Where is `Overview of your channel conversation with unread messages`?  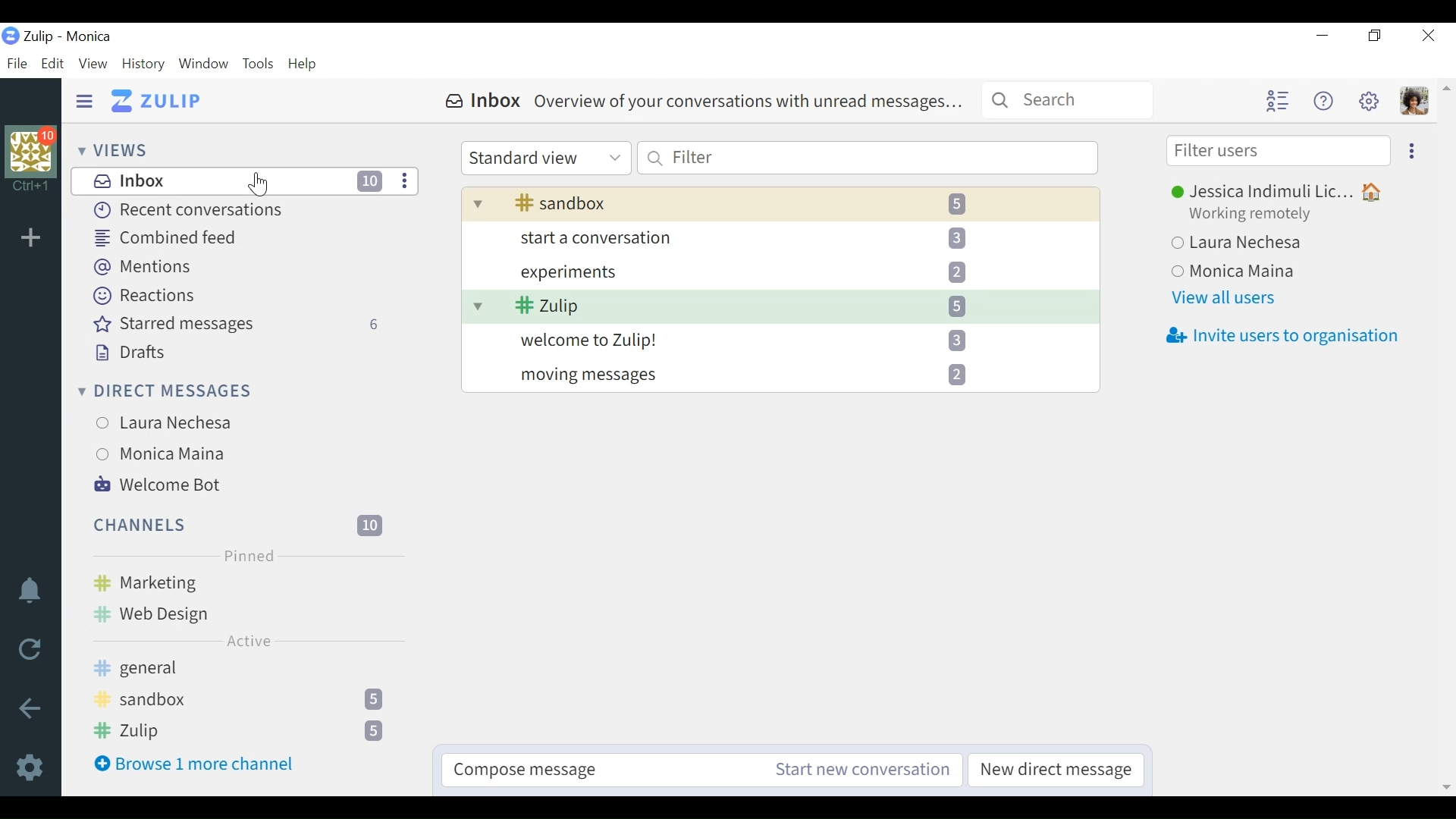
Overview of your channel conversation with unread messages is located at coordinates (780, 309).